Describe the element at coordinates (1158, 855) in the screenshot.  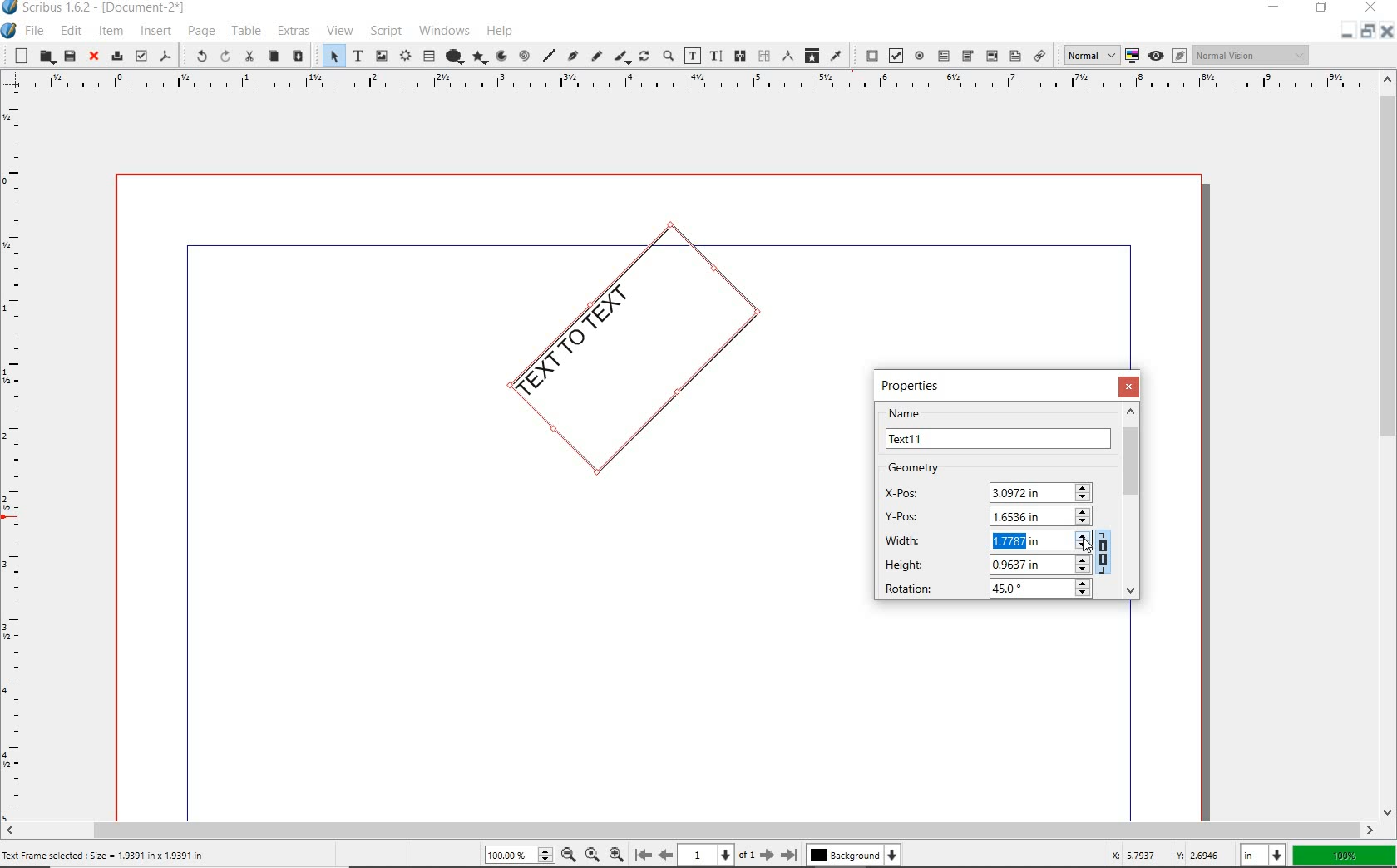
I see `coordinates` at that location.